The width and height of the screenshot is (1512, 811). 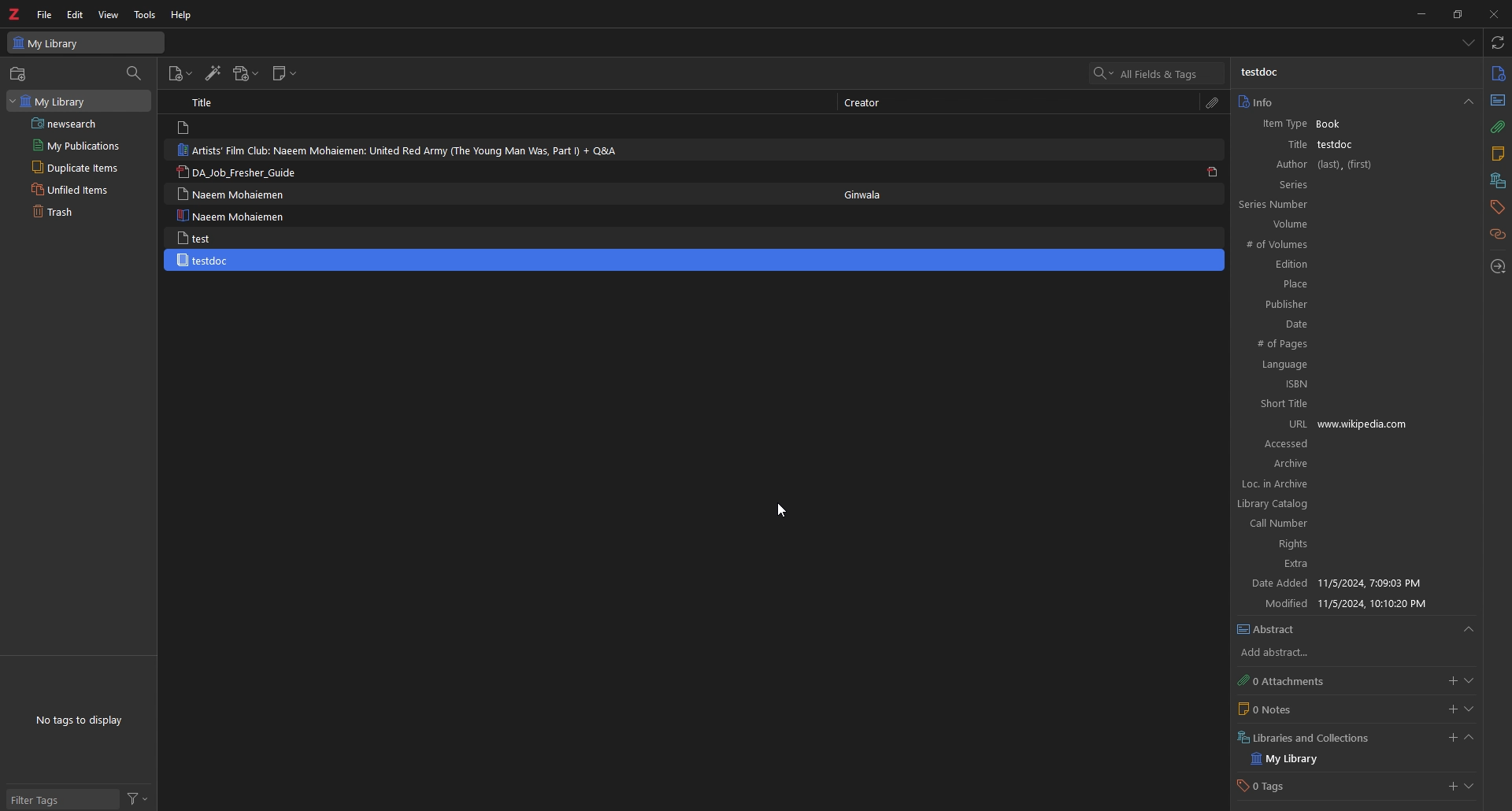 What do you see at coordinates (1291, 145) in the screenshot?
I see `title` at bounding box center [1291, 145].